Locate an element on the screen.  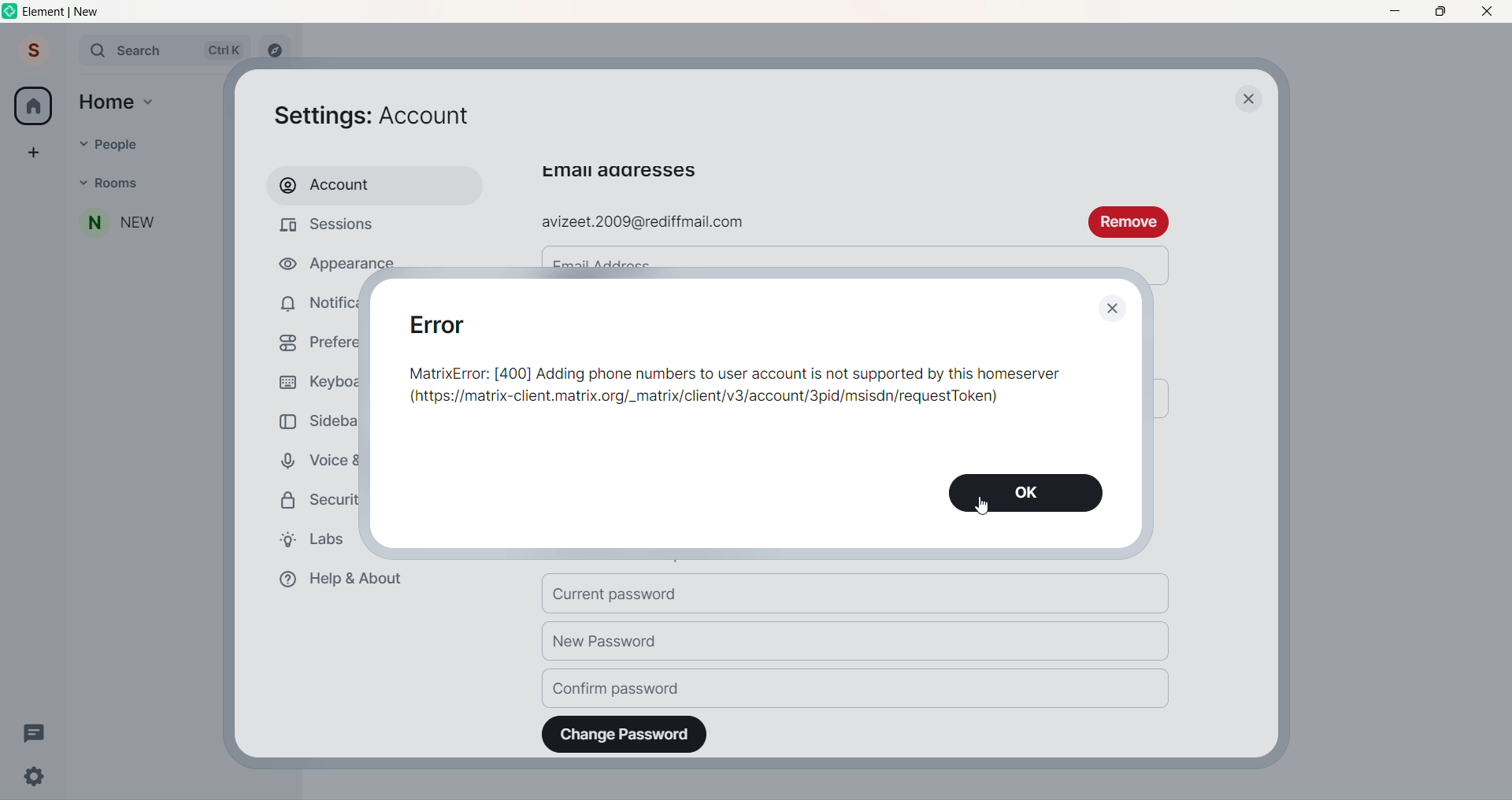
Close dialog box is located at coordinates (1112, 309).